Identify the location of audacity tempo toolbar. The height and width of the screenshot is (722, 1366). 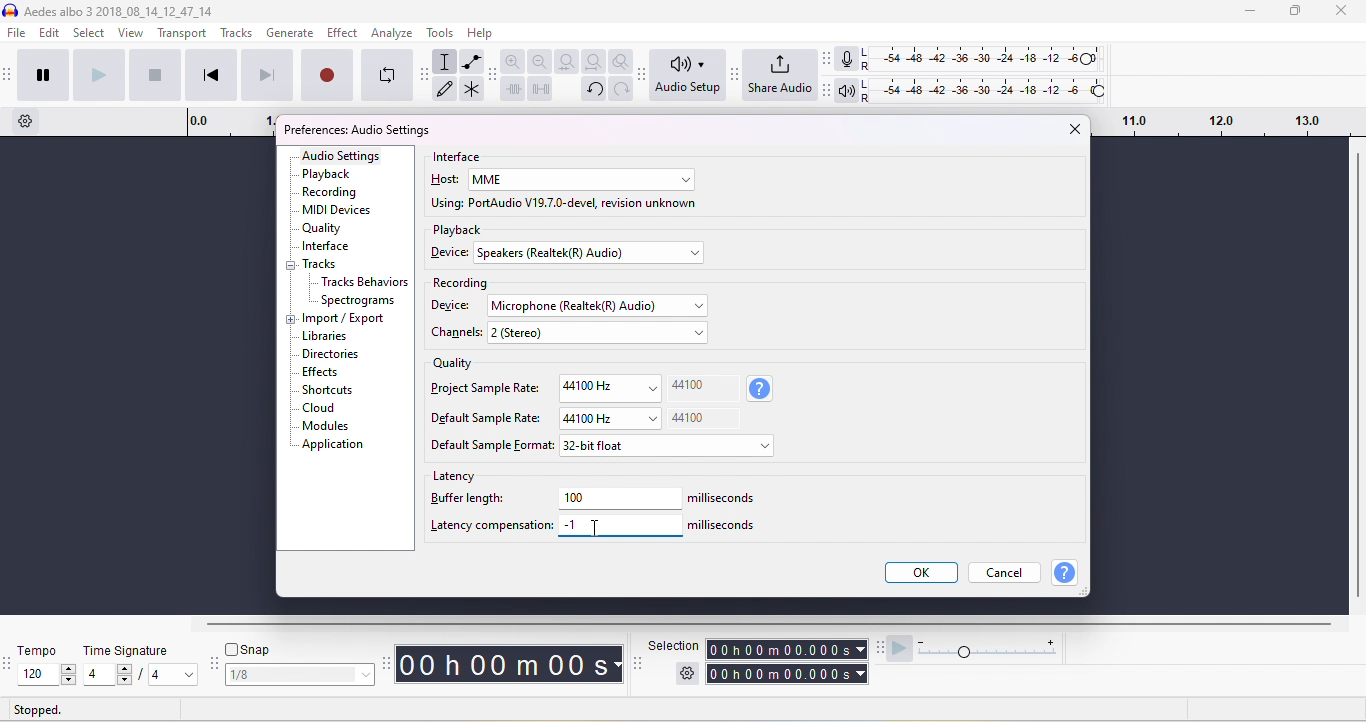
(9, 665).